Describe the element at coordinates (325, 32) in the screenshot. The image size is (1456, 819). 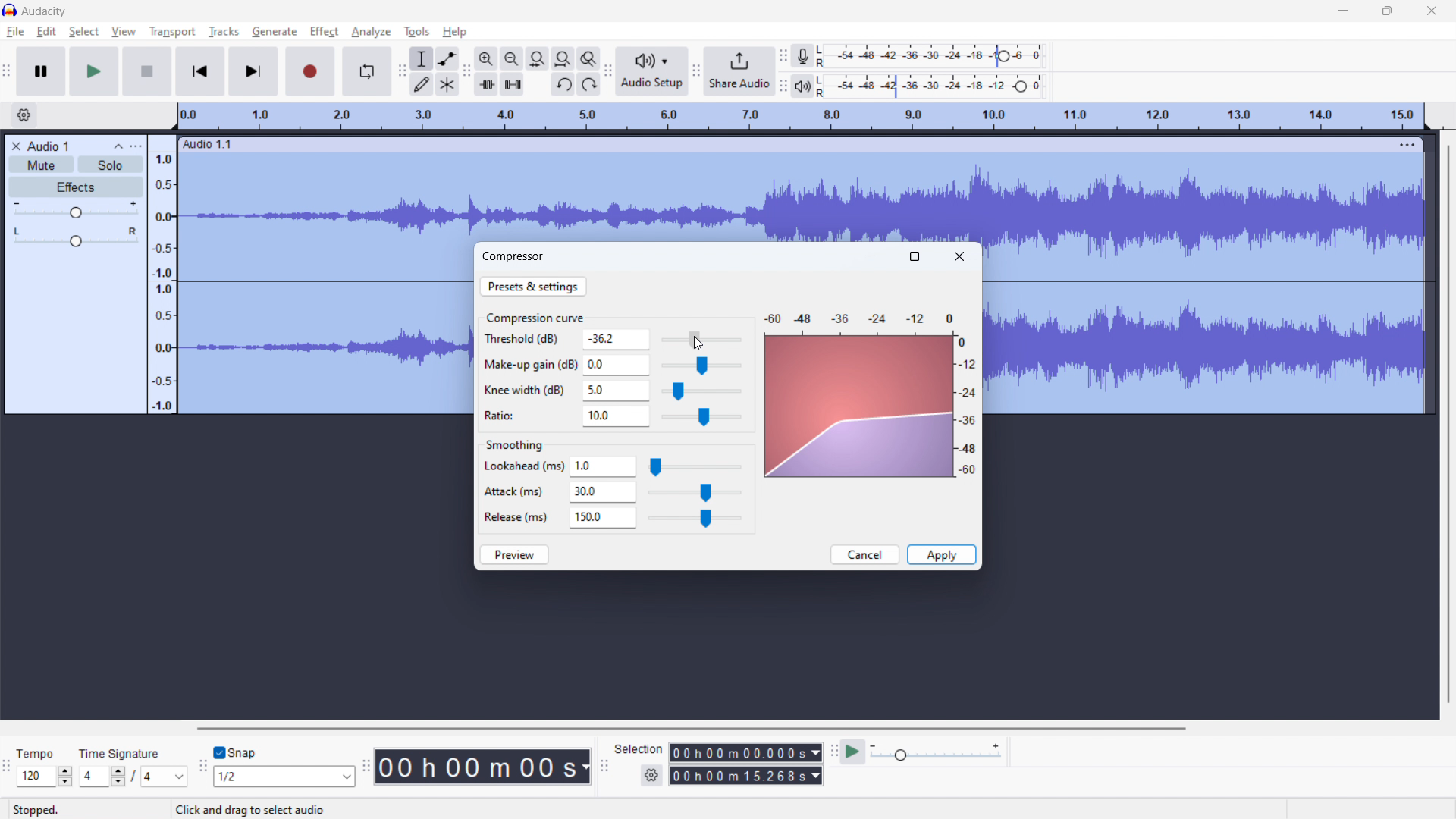
I see `effect` at that location.